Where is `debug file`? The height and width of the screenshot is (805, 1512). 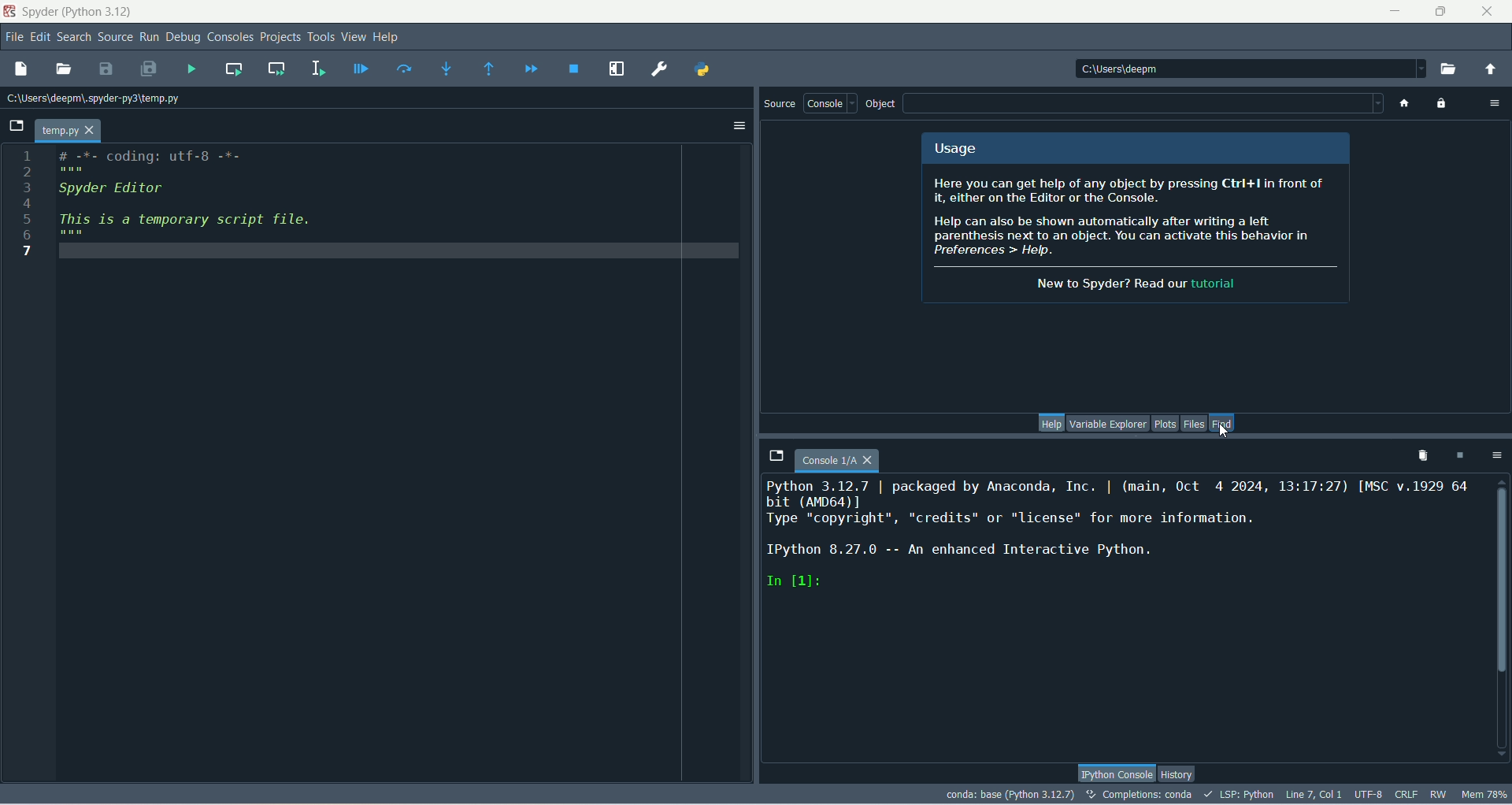
debug file is located at coordinates (358, 70).